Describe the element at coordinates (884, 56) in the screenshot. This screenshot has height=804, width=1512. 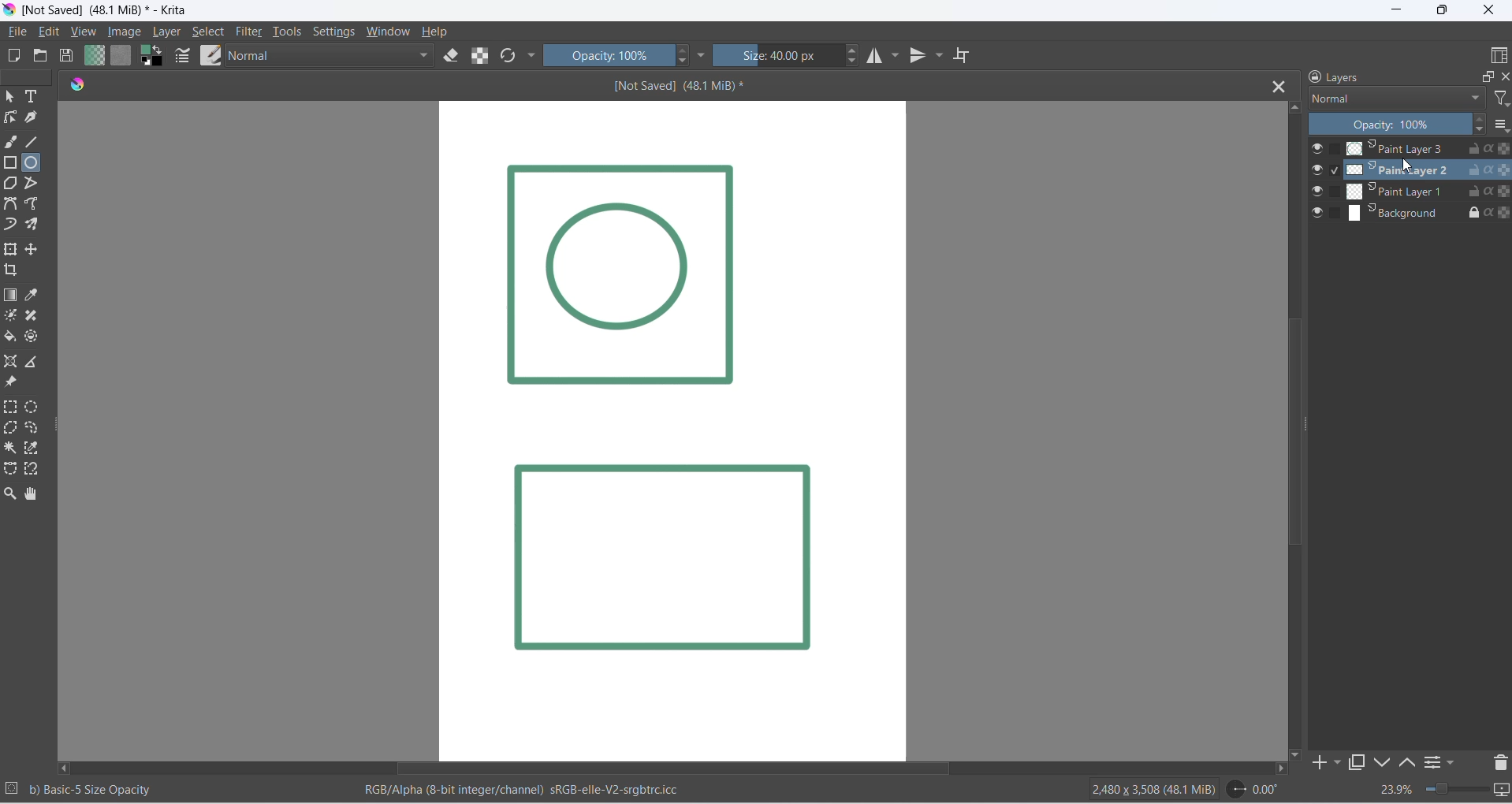
I see `horizontal mirror tool` at that location.